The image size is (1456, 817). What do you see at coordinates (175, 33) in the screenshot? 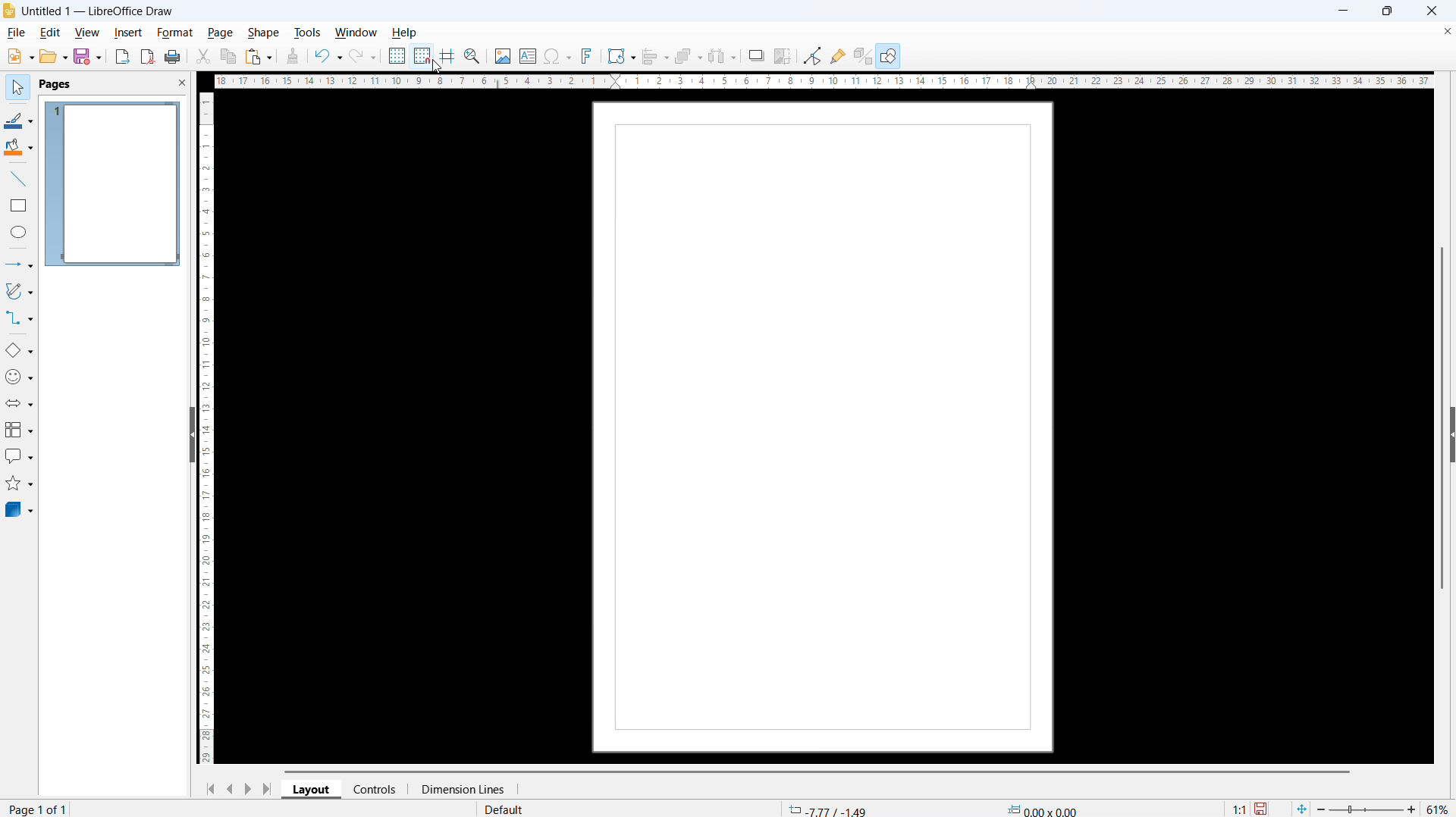
I see `Format ` at bounding box center [175, 33].